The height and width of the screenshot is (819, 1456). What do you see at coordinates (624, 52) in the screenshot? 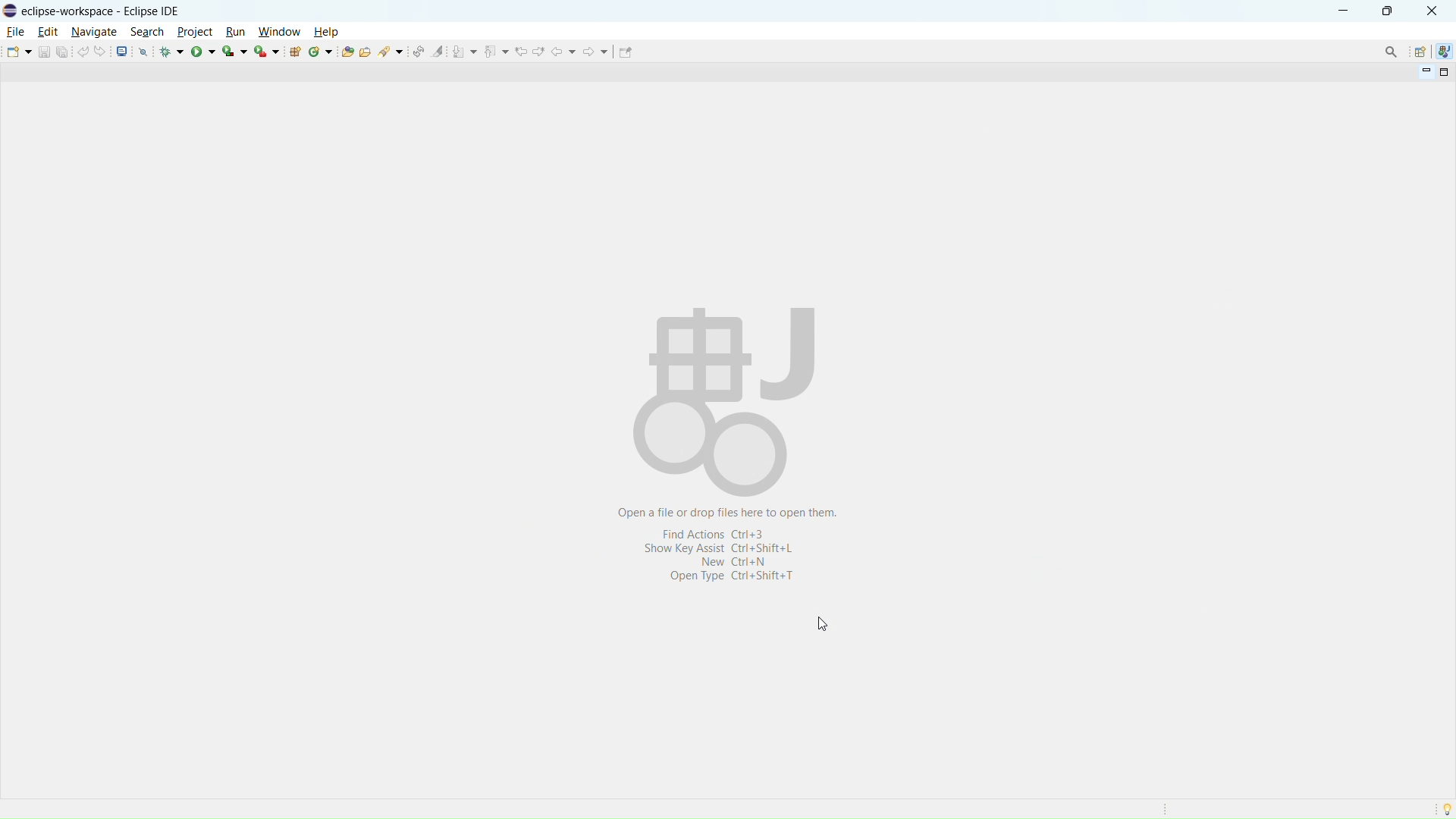
I see `pin editor` at bounding box center [624, 52].